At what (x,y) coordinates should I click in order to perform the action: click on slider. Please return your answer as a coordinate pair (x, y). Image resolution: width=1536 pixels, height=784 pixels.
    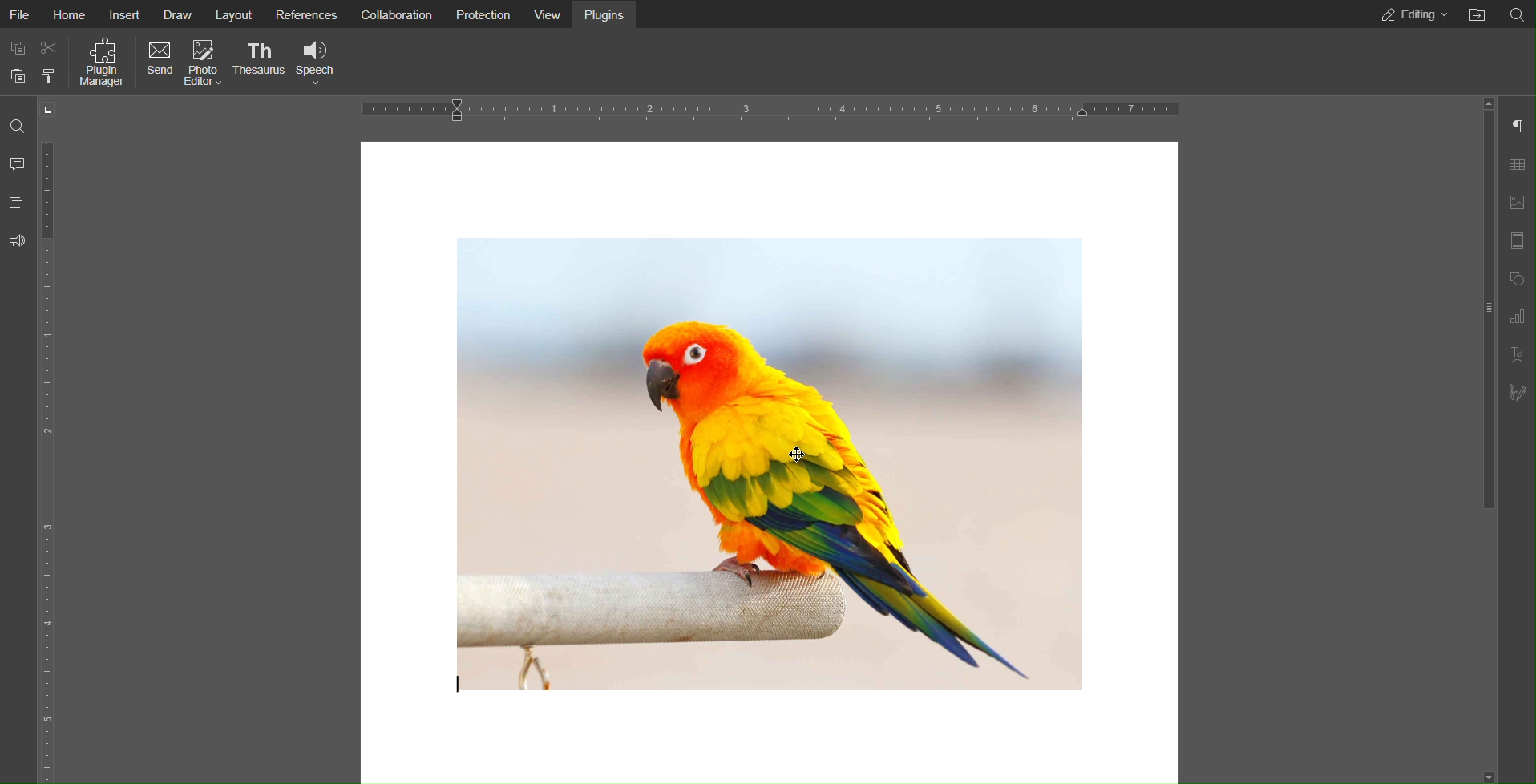
    Looking at the image, I should click on (1483, 307).